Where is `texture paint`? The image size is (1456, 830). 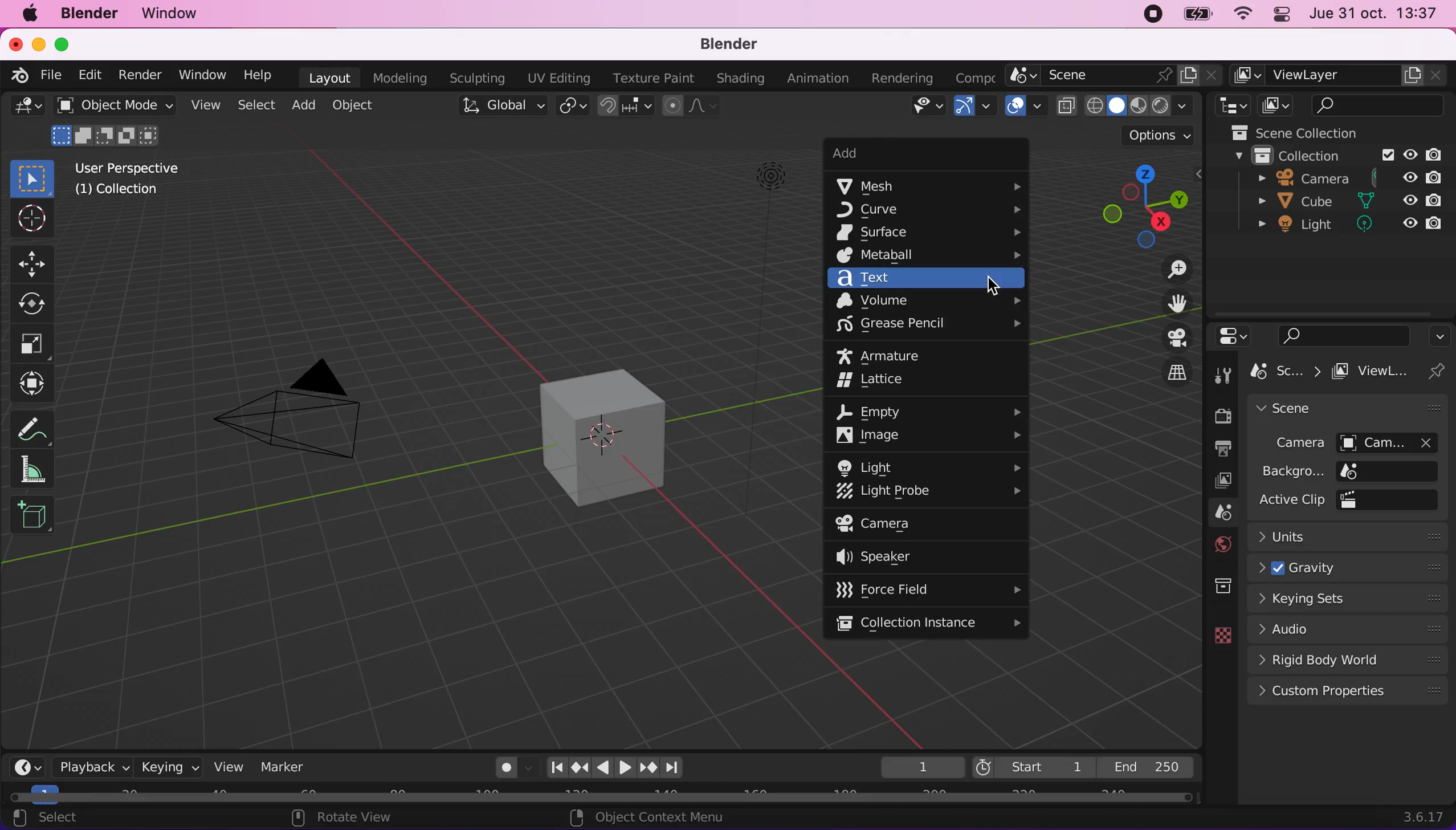 texture paint is located at coordinates (651, 76).